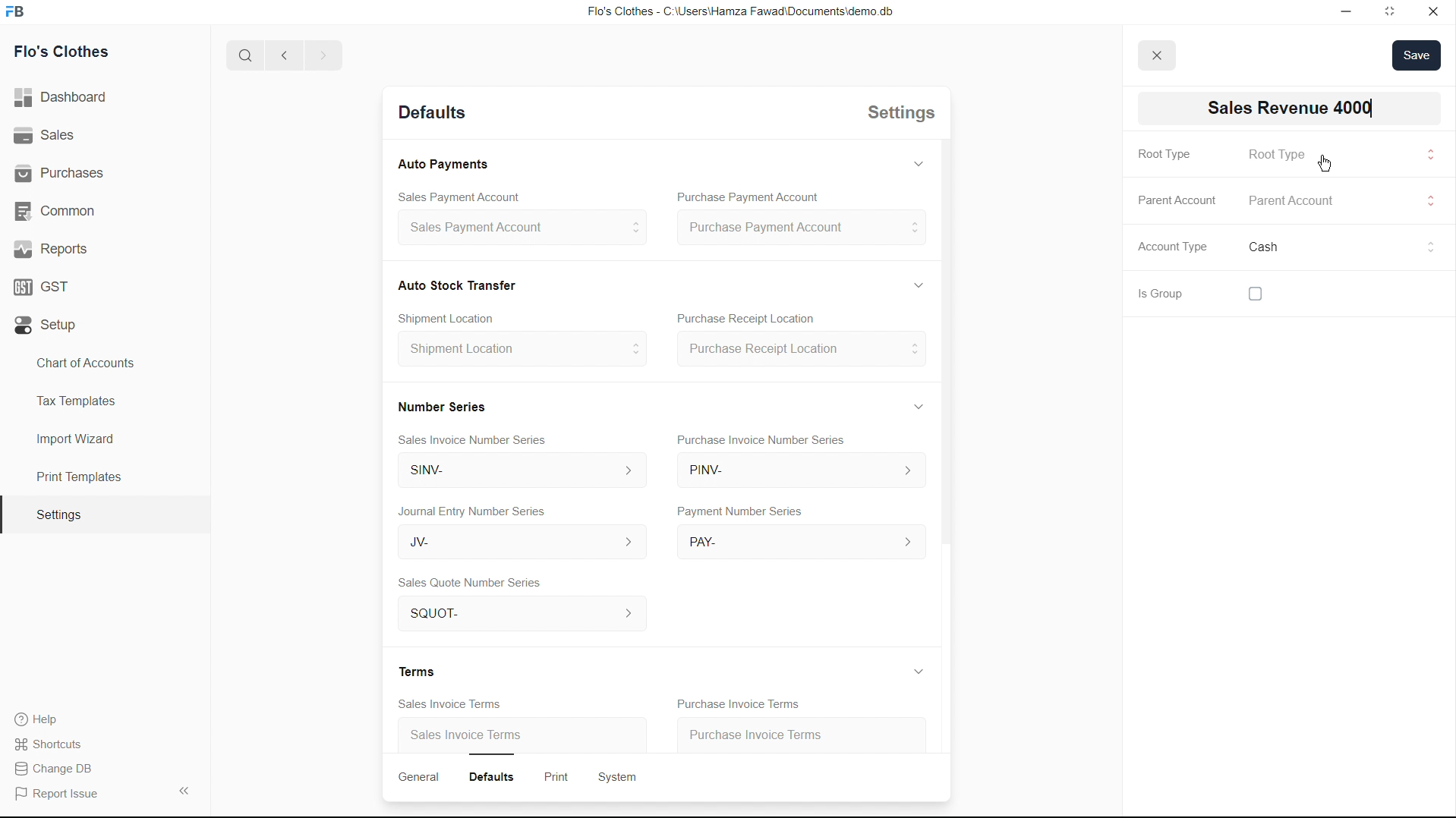  Describe the element at coordinates (66, 98) in the screenshot. I see `Dashboard` at that location.